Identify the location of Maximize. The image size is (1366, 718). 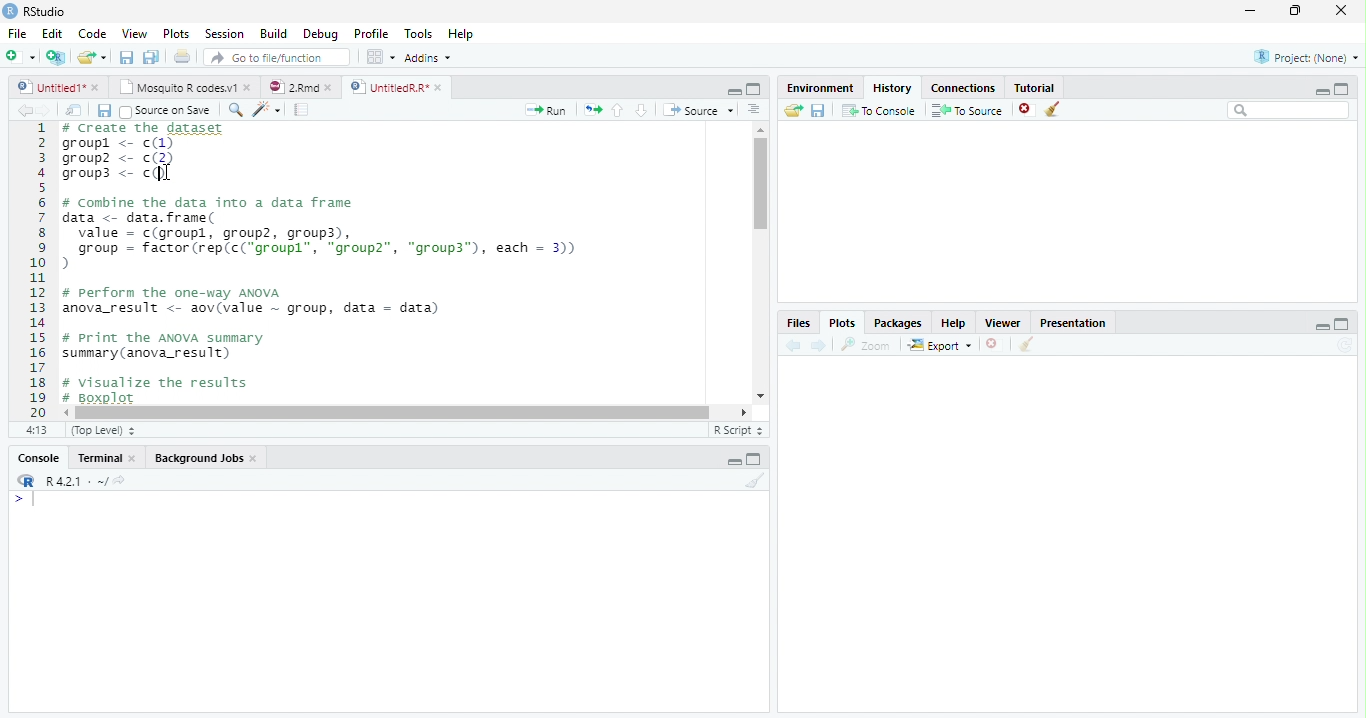
(1297, 11).